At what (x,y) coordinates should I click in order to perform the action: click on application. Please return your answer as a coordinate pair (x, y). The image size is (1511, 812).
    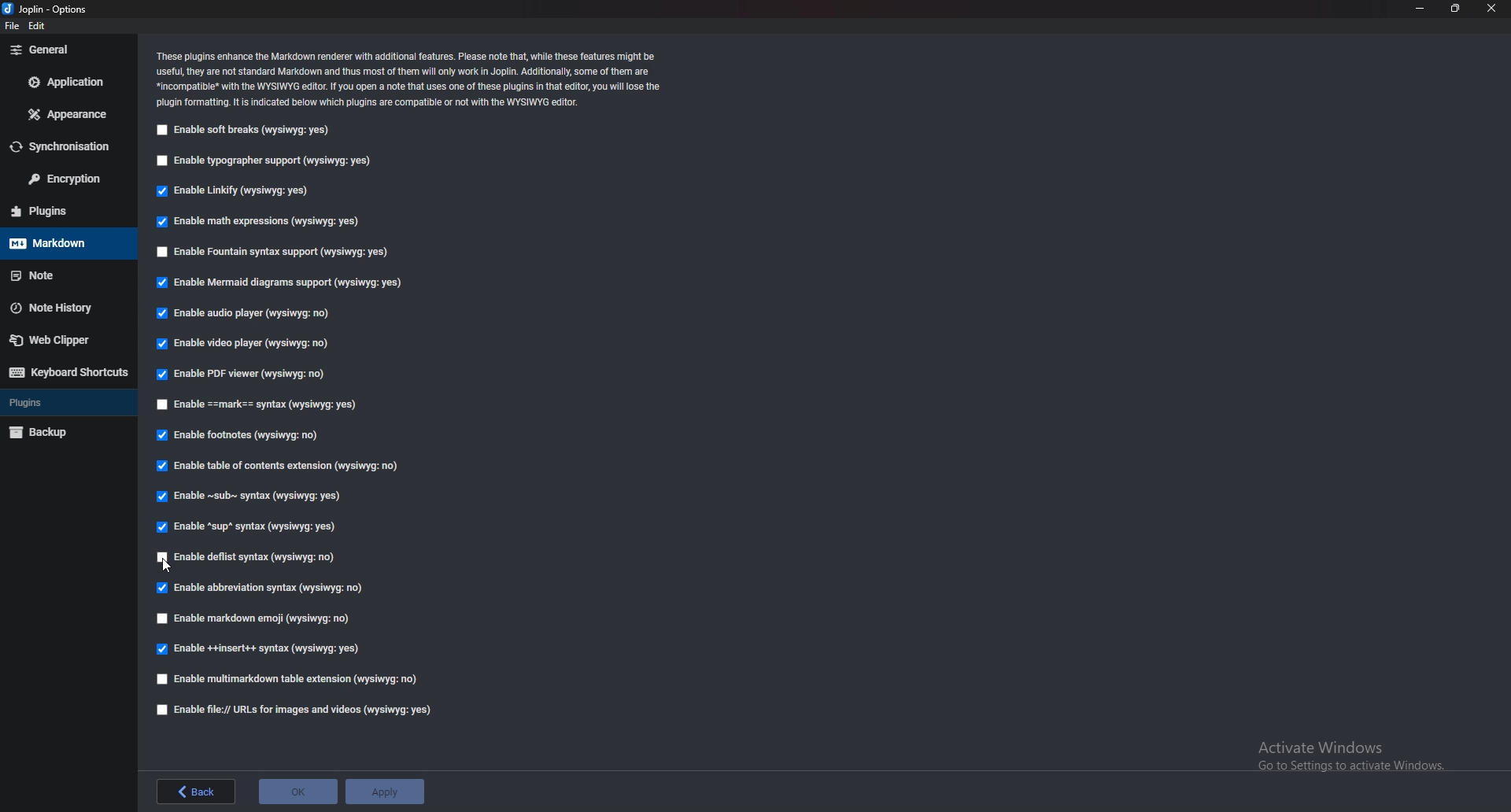
    Looking at the image, I should click on (68, 81).